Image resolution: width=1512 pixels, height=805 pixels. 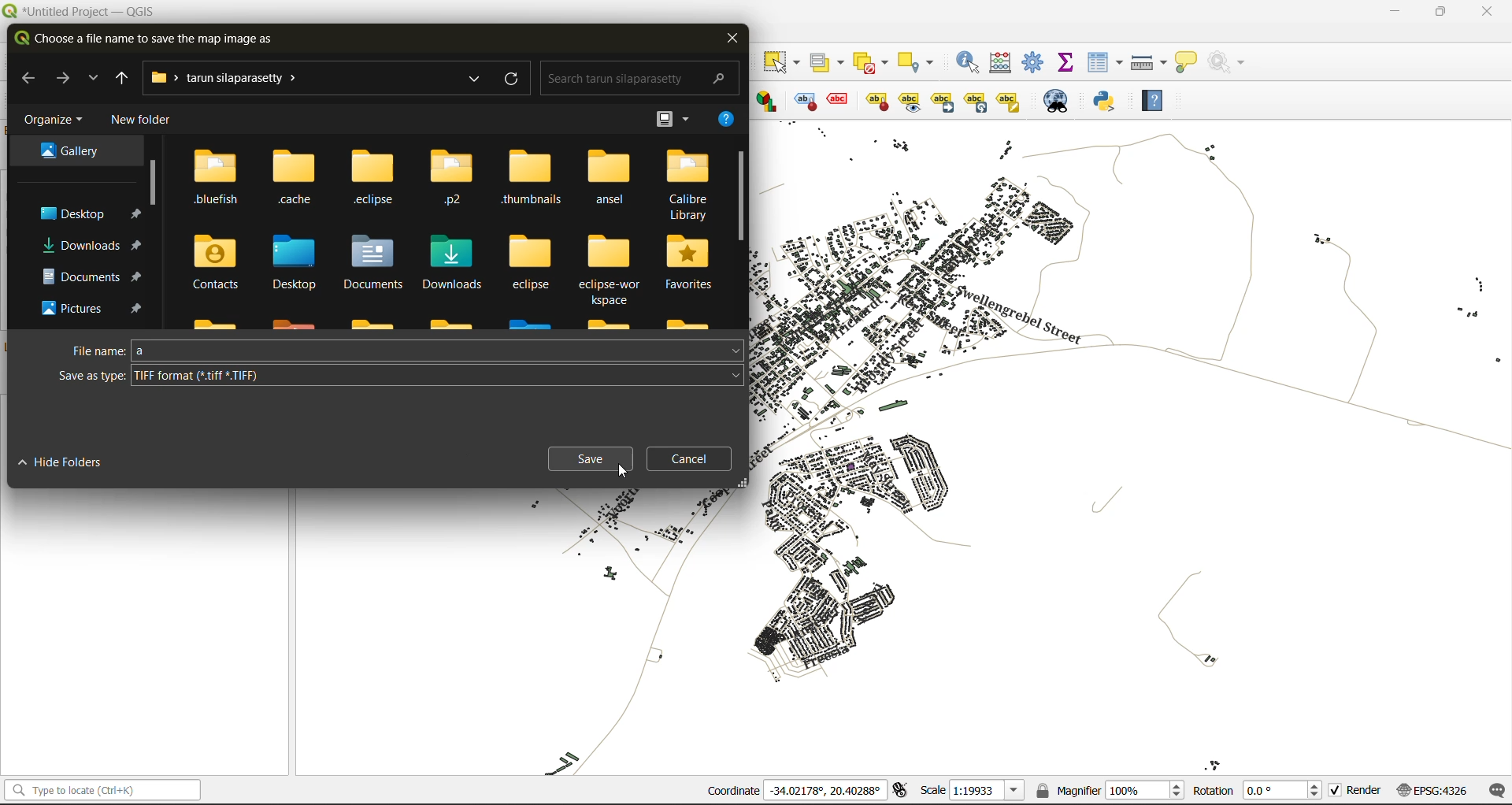 What do you see at coordinates (233, 79) in the screenshot?
I see `file path` at bounding box center [233, 79].